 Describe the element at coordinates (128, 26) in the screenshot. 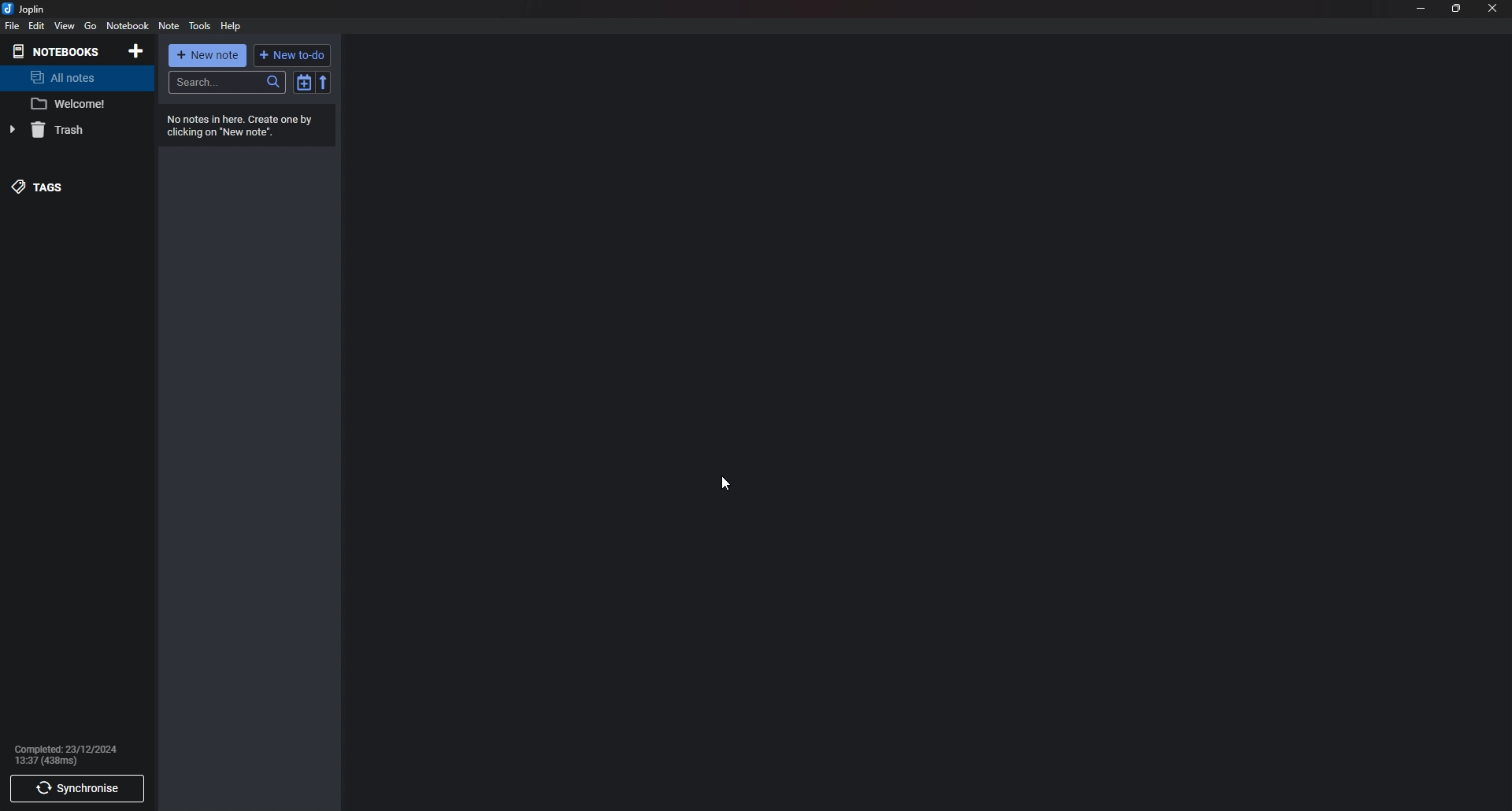

I see `Notebook` at that location.